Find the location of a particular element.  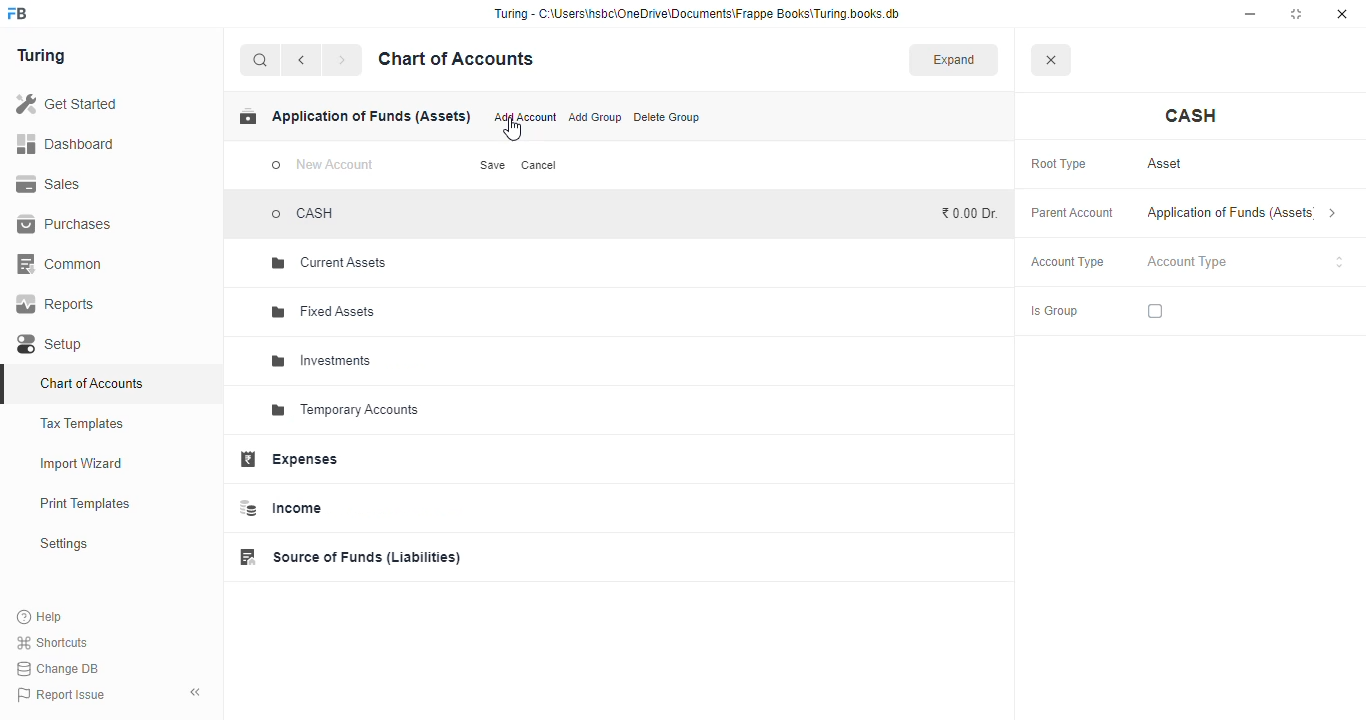

tax templates is located at coordinates (83, 423).